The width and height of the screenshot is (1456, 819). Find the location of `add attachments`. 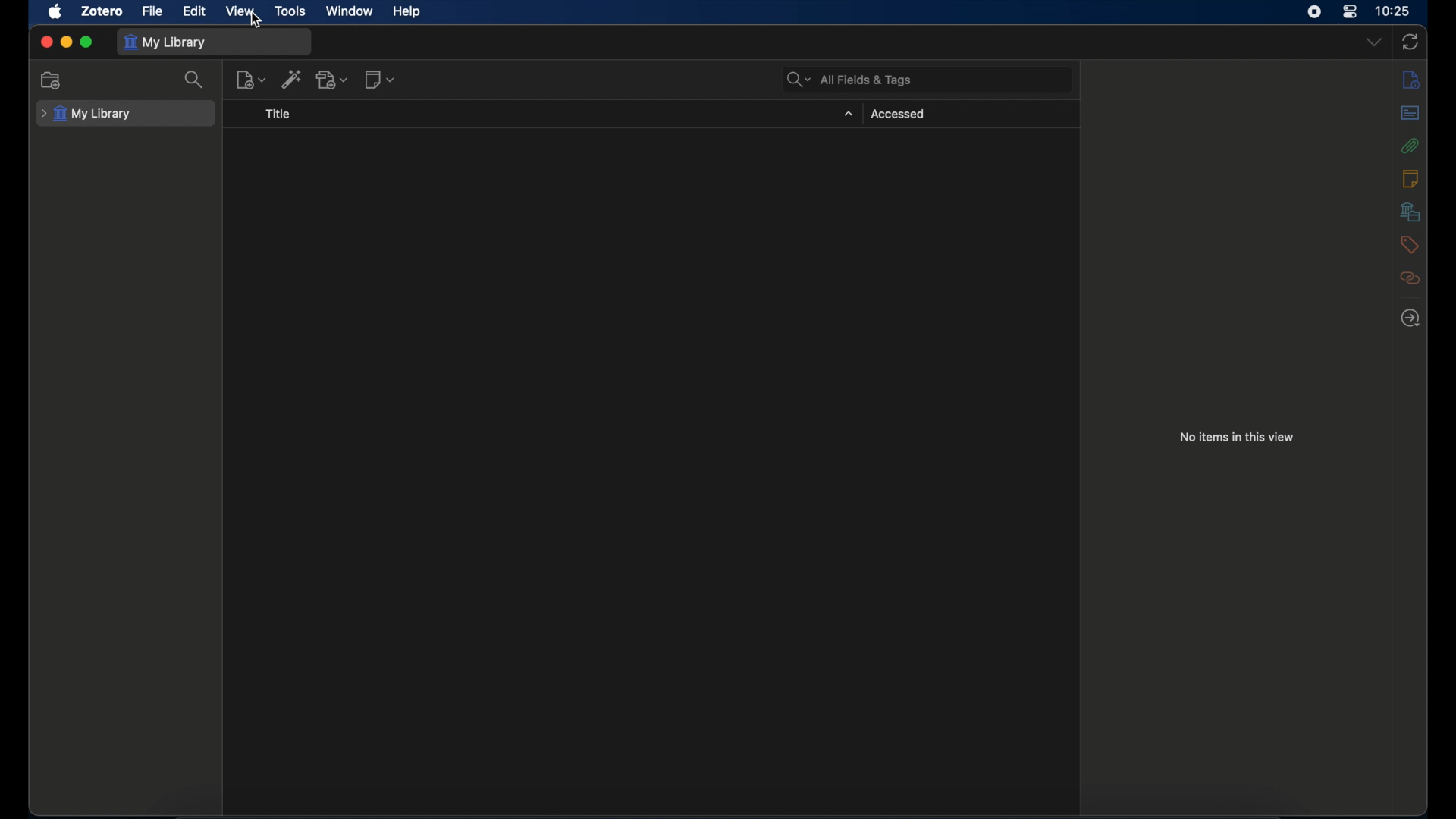

add attachments is located at coordinates (333, 79).